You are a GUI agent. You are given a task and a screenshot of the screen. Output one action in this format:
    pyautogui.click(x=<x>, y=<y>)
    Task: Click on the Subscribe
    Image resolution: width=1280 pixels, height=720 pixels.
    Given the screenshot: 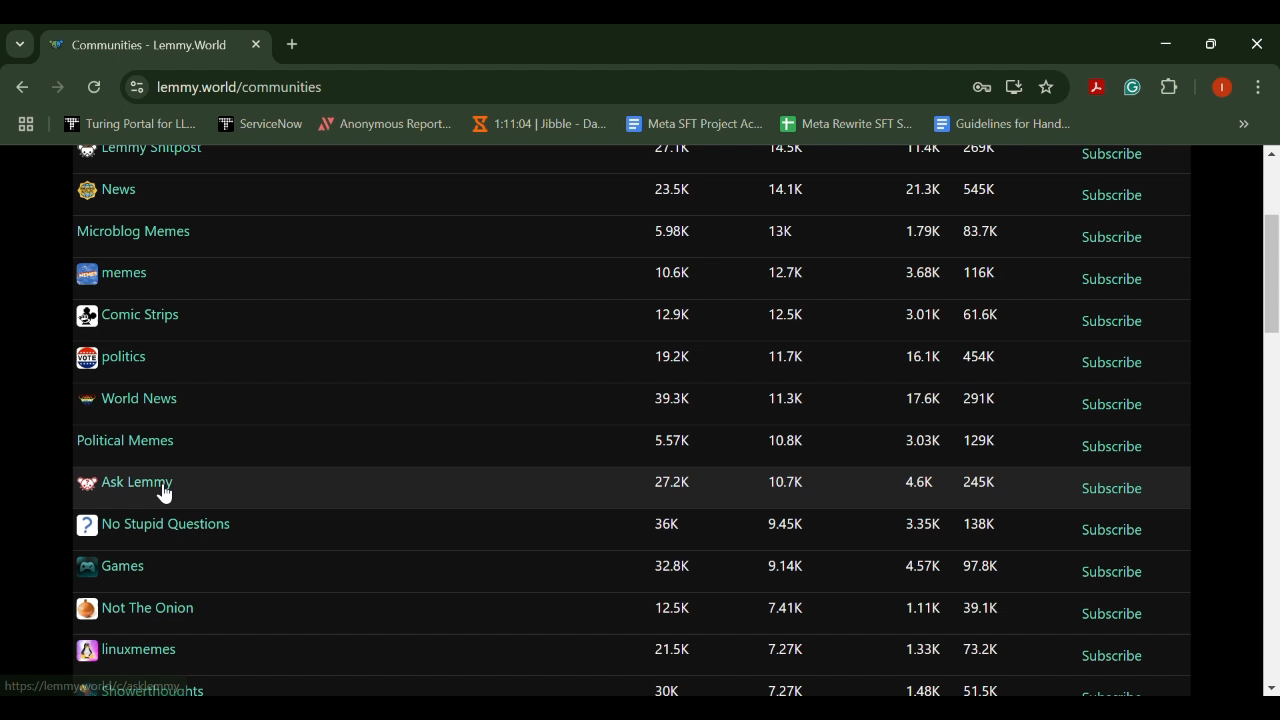 What is the action you would take?
    pyautogui.click(x=1113, y=406)
    